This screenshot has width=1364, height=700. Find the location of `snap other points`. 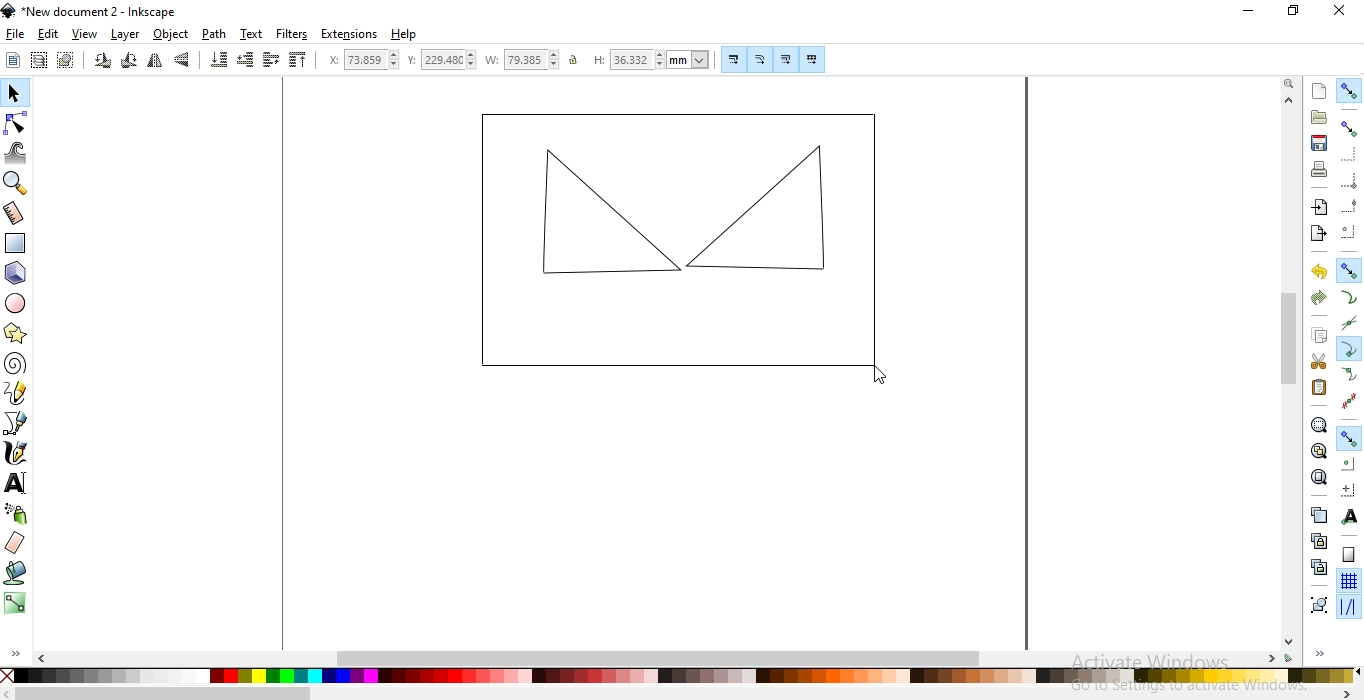

snap other points is located at coordinates (1350, 438).